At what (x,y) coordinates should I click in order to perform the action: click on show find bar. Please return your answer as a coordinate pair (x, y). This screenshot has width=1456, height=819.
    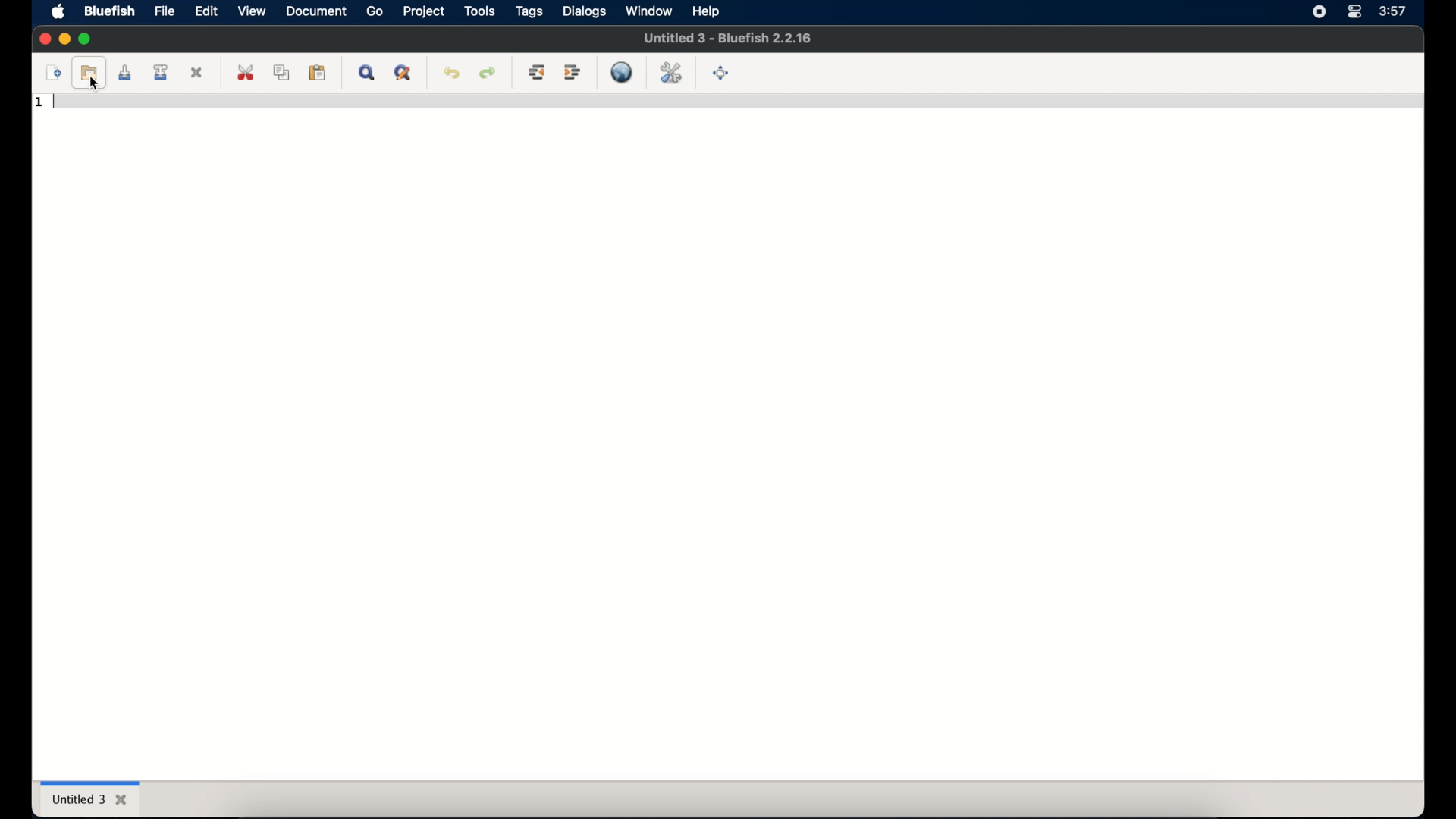
    Looking at the image, I should click on (366, 74).